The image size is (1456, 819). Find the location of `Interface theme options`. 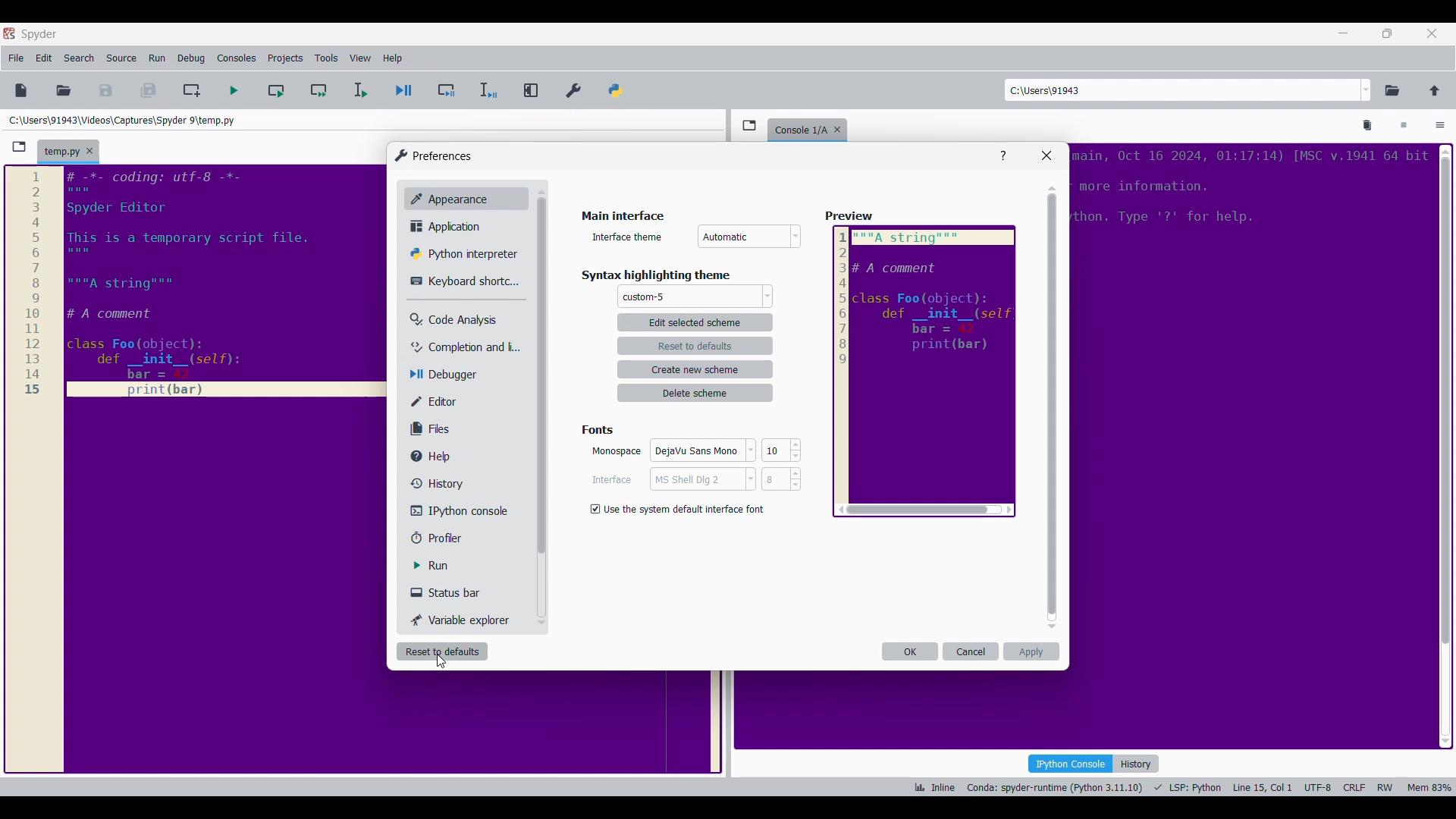

Interface theme options is located at coordinates (749, 237).